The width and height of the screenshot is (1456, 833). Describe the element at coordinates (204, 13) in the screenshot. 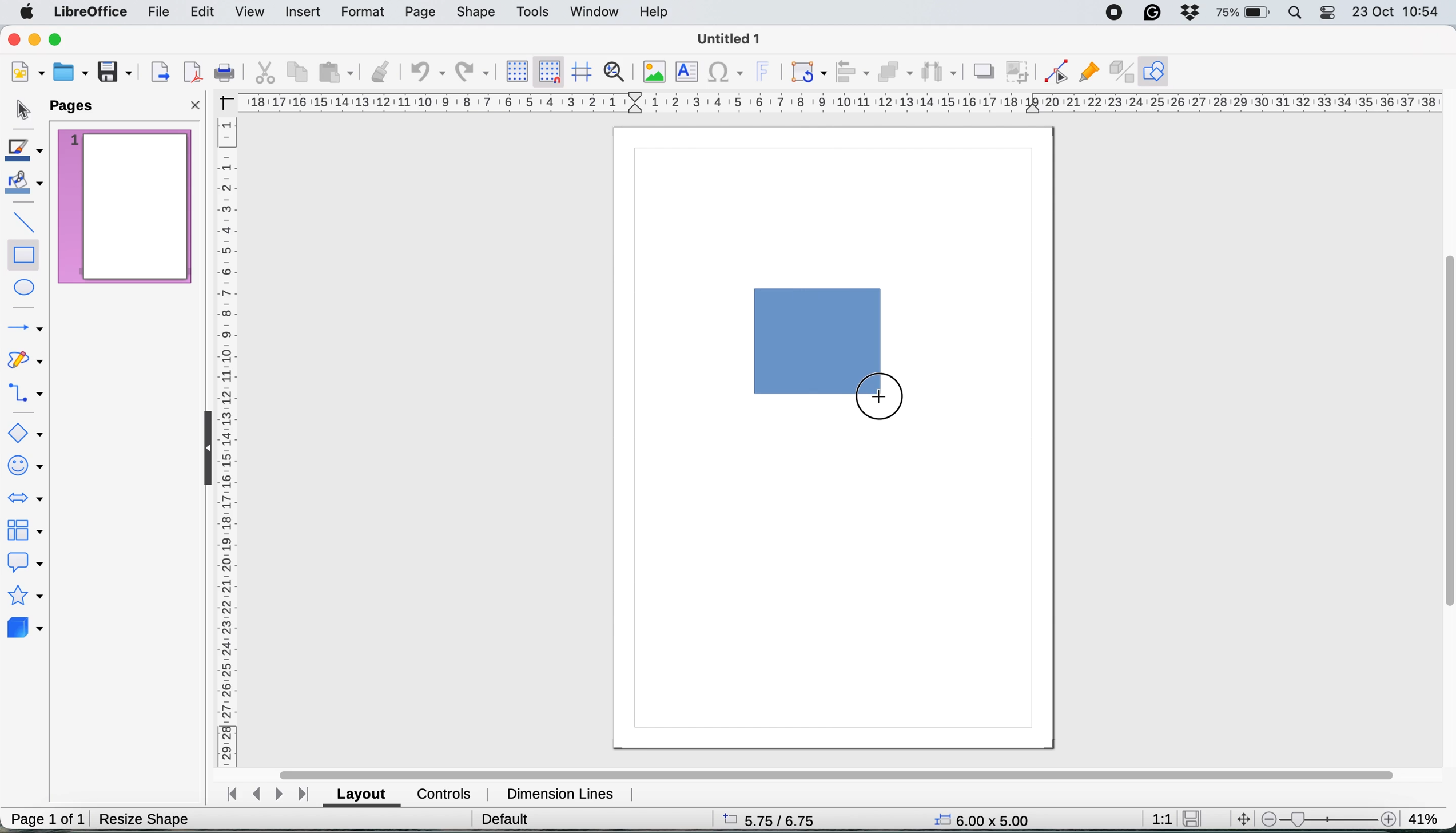

I see `edit` at that location.